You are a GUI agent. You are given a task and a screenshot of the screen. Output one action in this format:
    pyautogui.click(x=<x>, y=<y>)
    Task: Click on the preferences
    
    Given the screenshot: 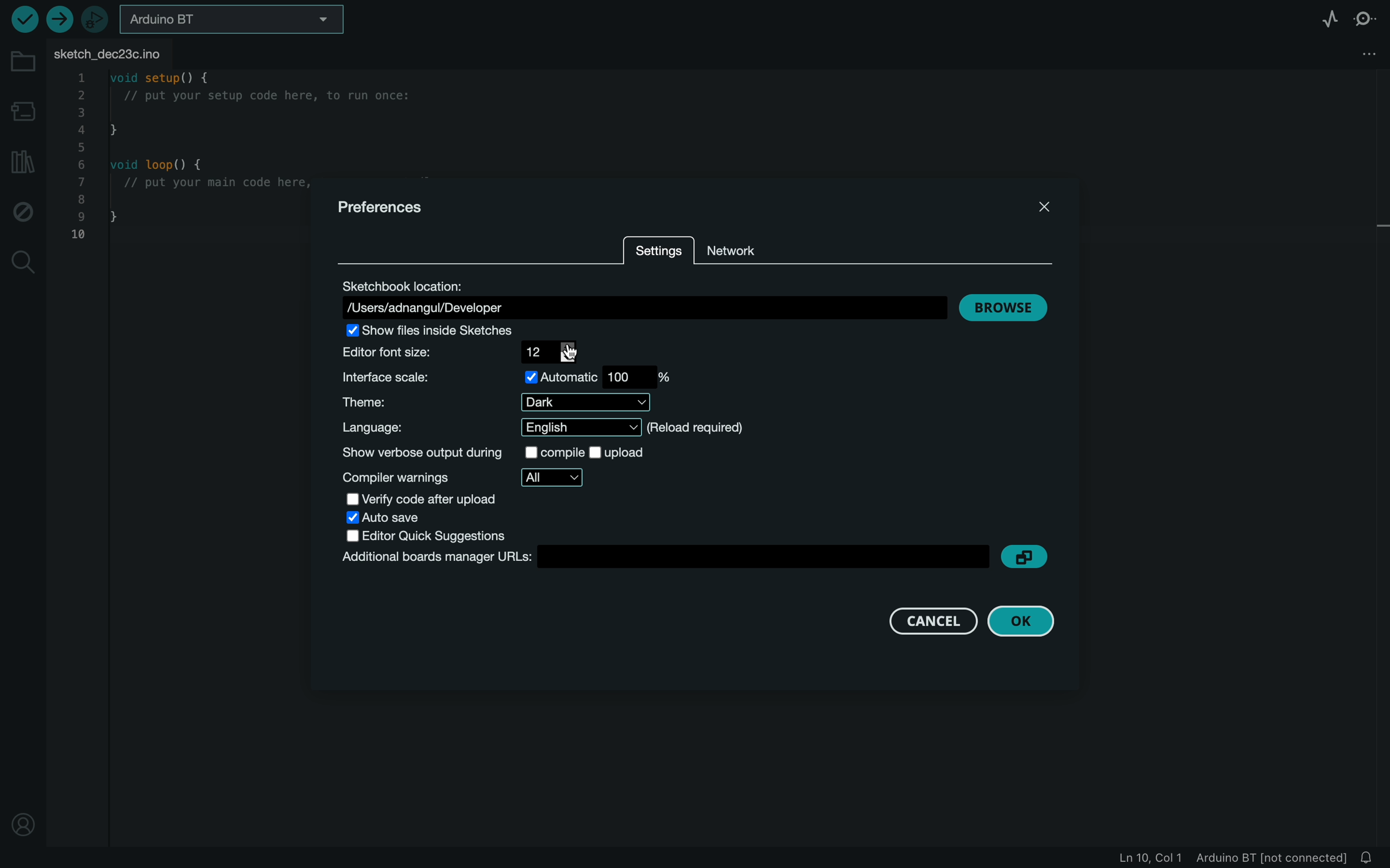 What is the action you would take?
    pyautogui.click(x=384, y=208)
    